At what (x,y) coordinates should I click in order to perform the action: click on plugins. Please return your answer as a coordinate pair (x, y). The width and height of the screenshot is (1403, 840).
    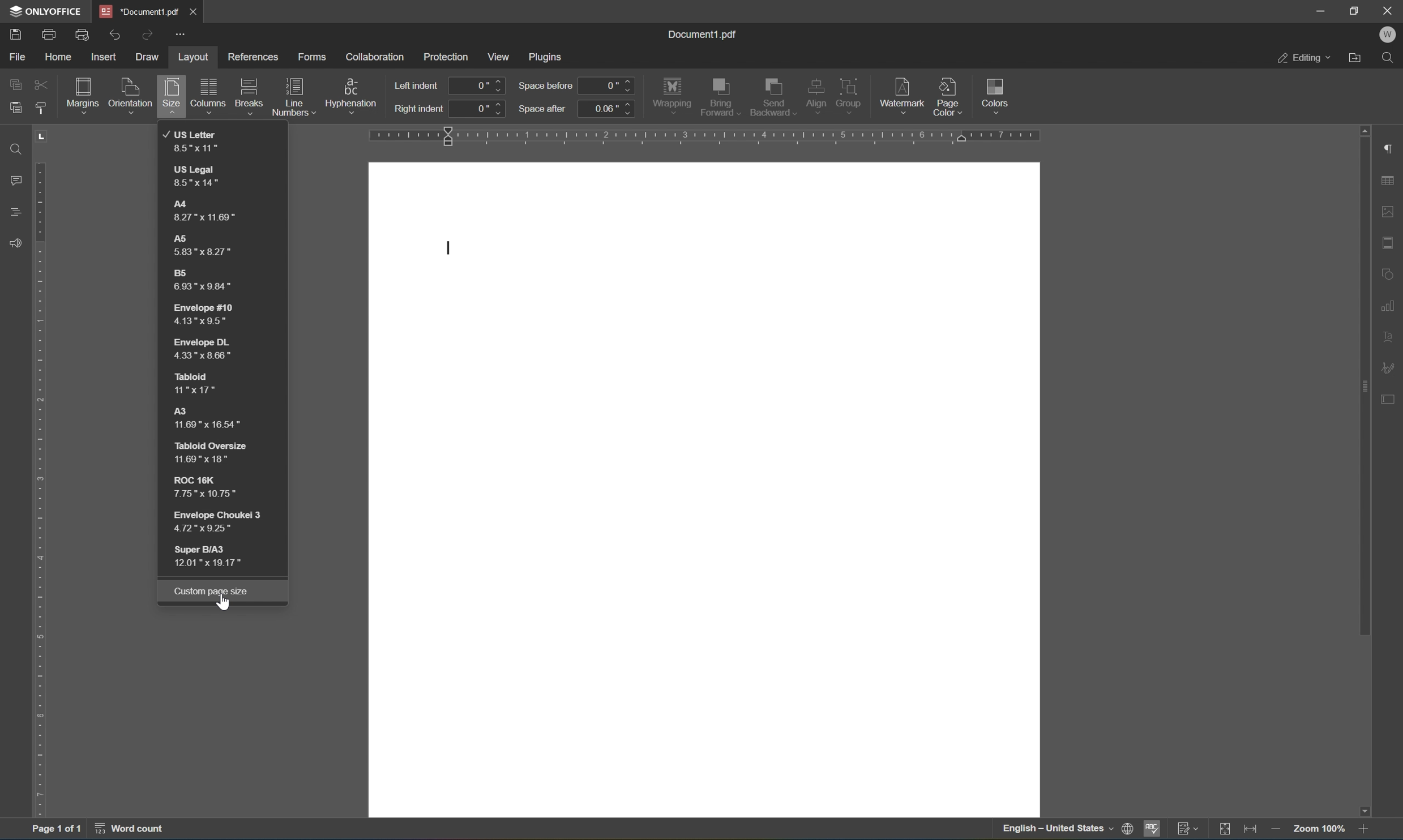
    Looking at the image, I should click on (548, 55).